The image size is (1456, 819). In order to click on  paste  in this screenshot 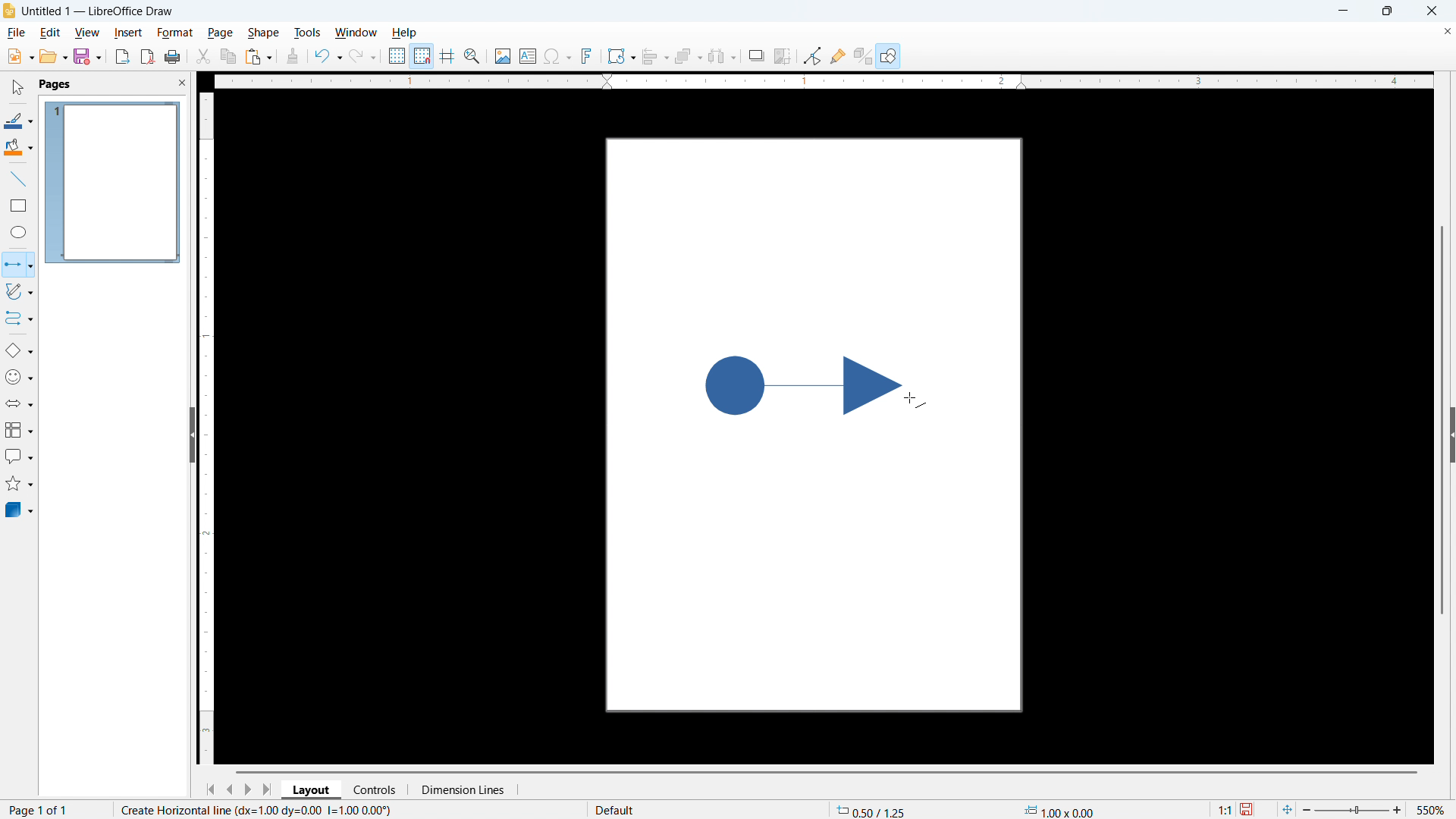, I will do `click(259, 58)`.